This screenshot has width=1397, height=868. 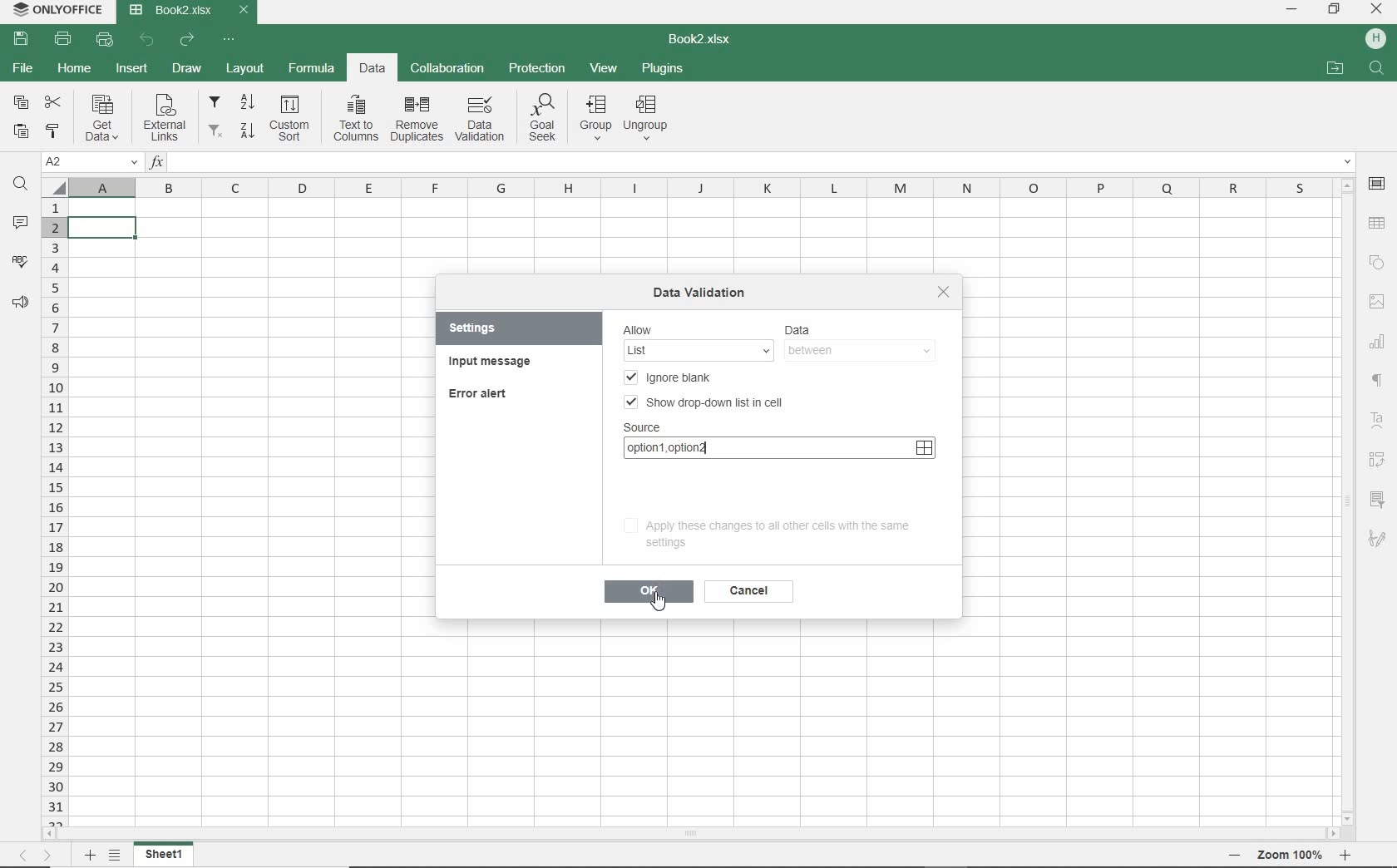 What do you see at coordinates (1375, 10) in the screenshot?
I see `CLOSE` at bounding box center [1375, 10].